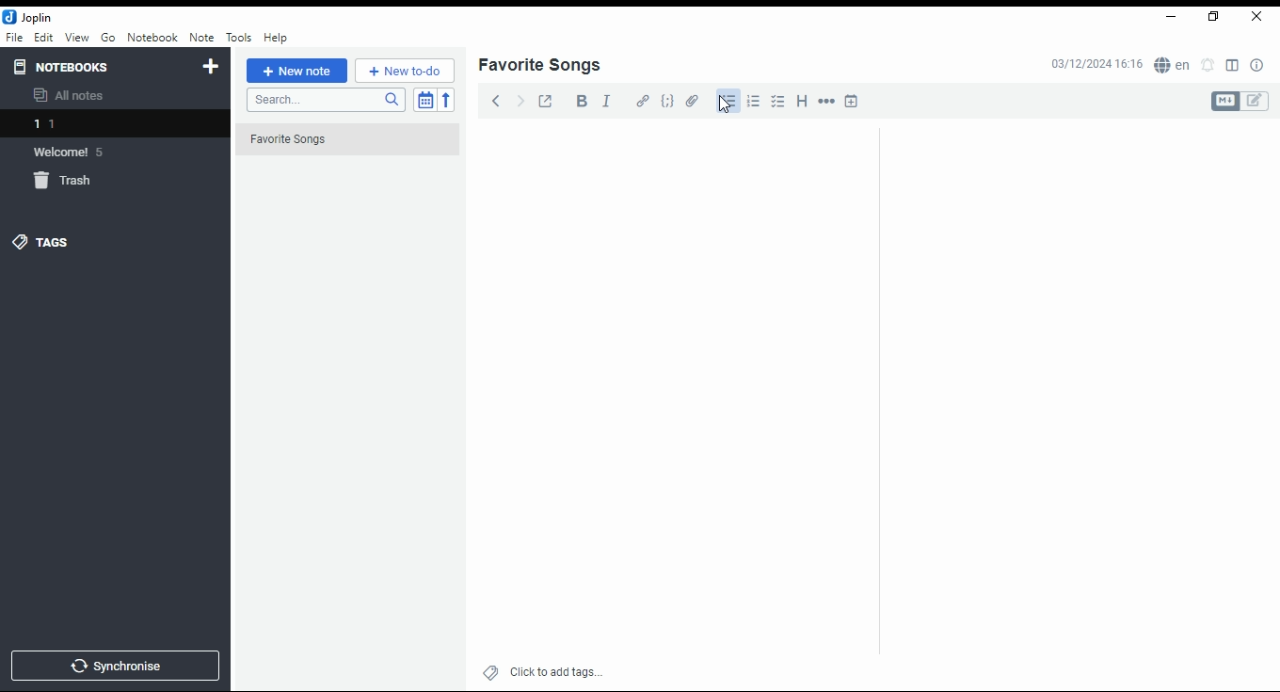 The image size is (1280, 692). What do you see at coordinates (1258, 66) in the screenshot?
I see `note properties` at bounding box center [1258, 66].